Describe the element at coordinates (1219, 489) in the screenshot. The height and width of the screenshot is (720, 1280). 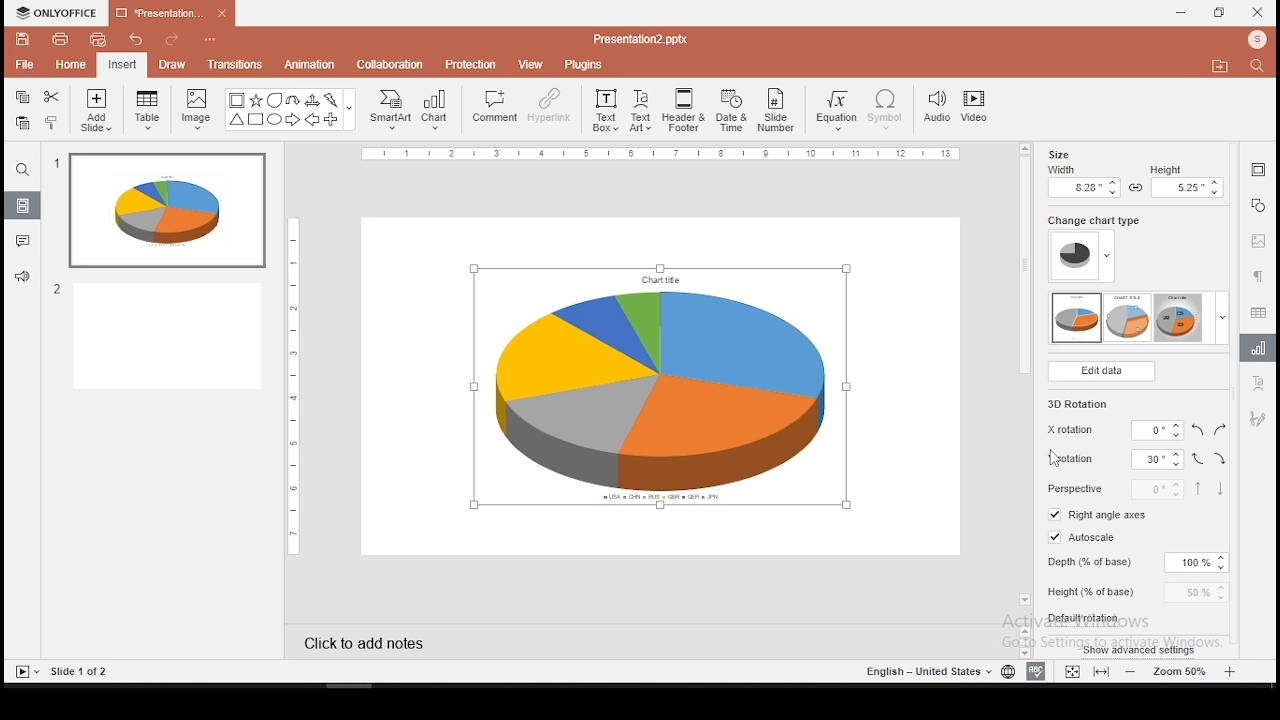
I see `down` at that location.